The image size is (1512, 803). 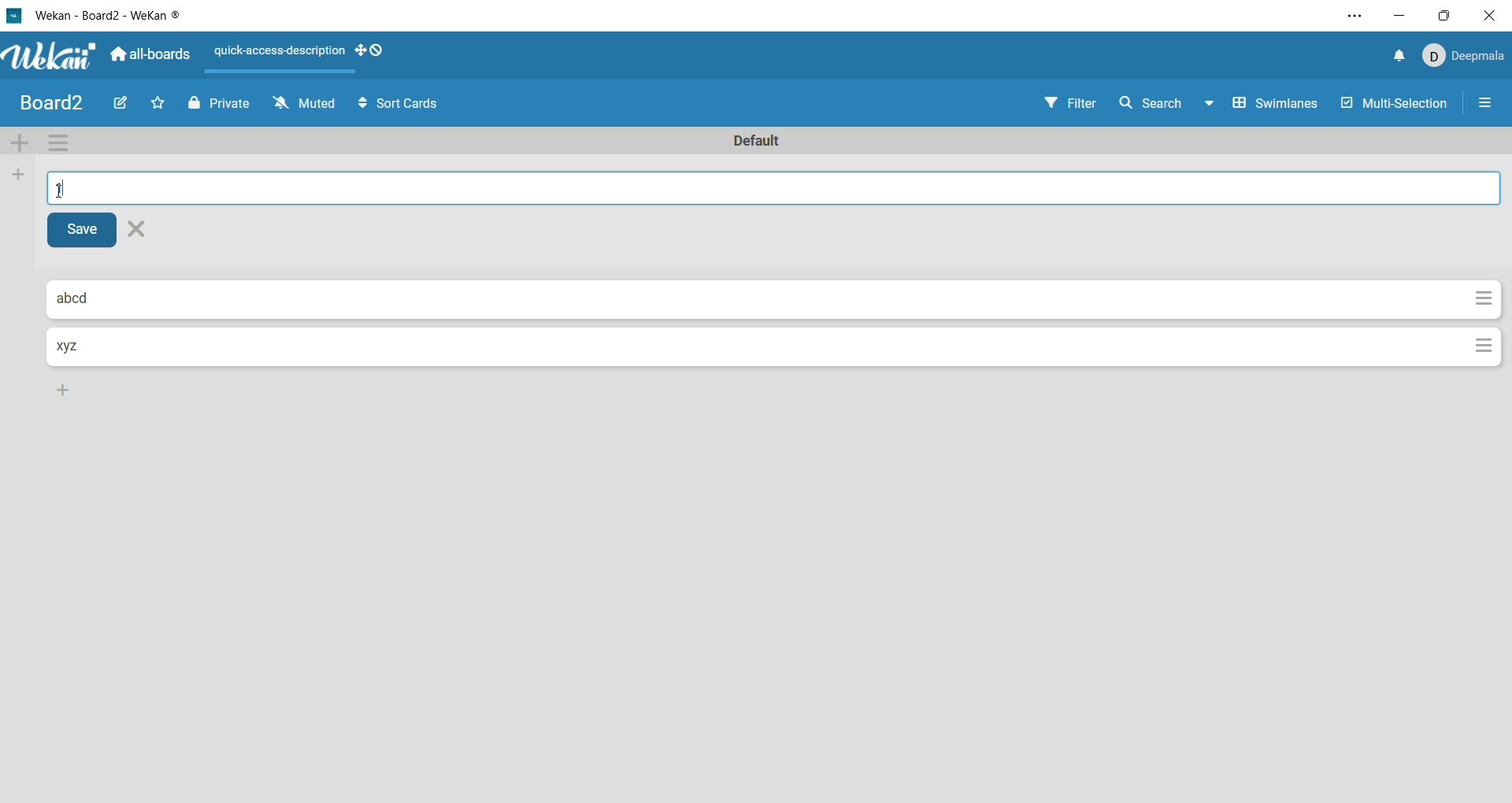 I want to click on favorite, so click(x=161, y=102).